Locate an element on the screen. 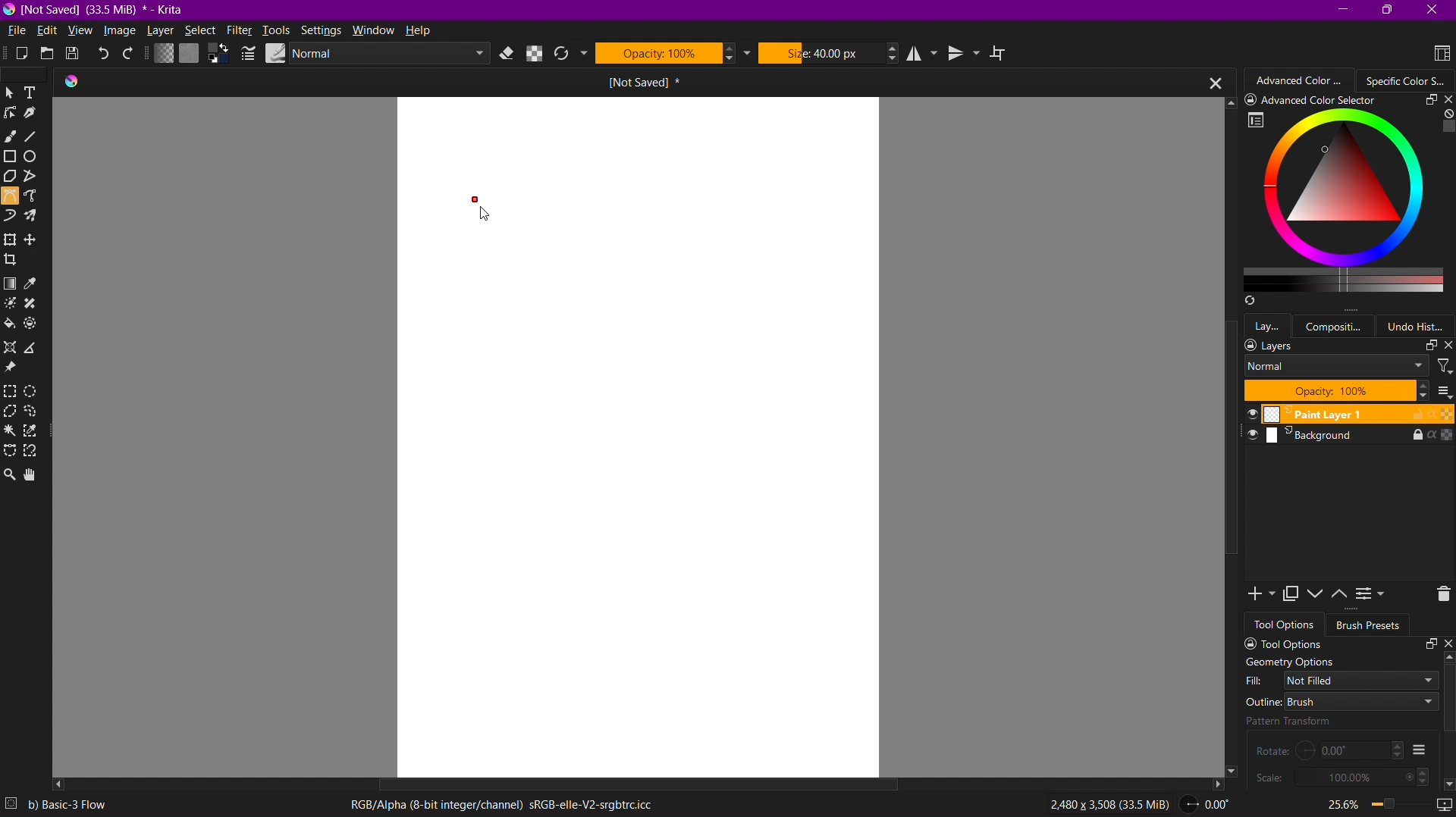 Image resolution: width=1456 pixels, height=817 pixels. Undo History is located at coordinates (1420, 326).